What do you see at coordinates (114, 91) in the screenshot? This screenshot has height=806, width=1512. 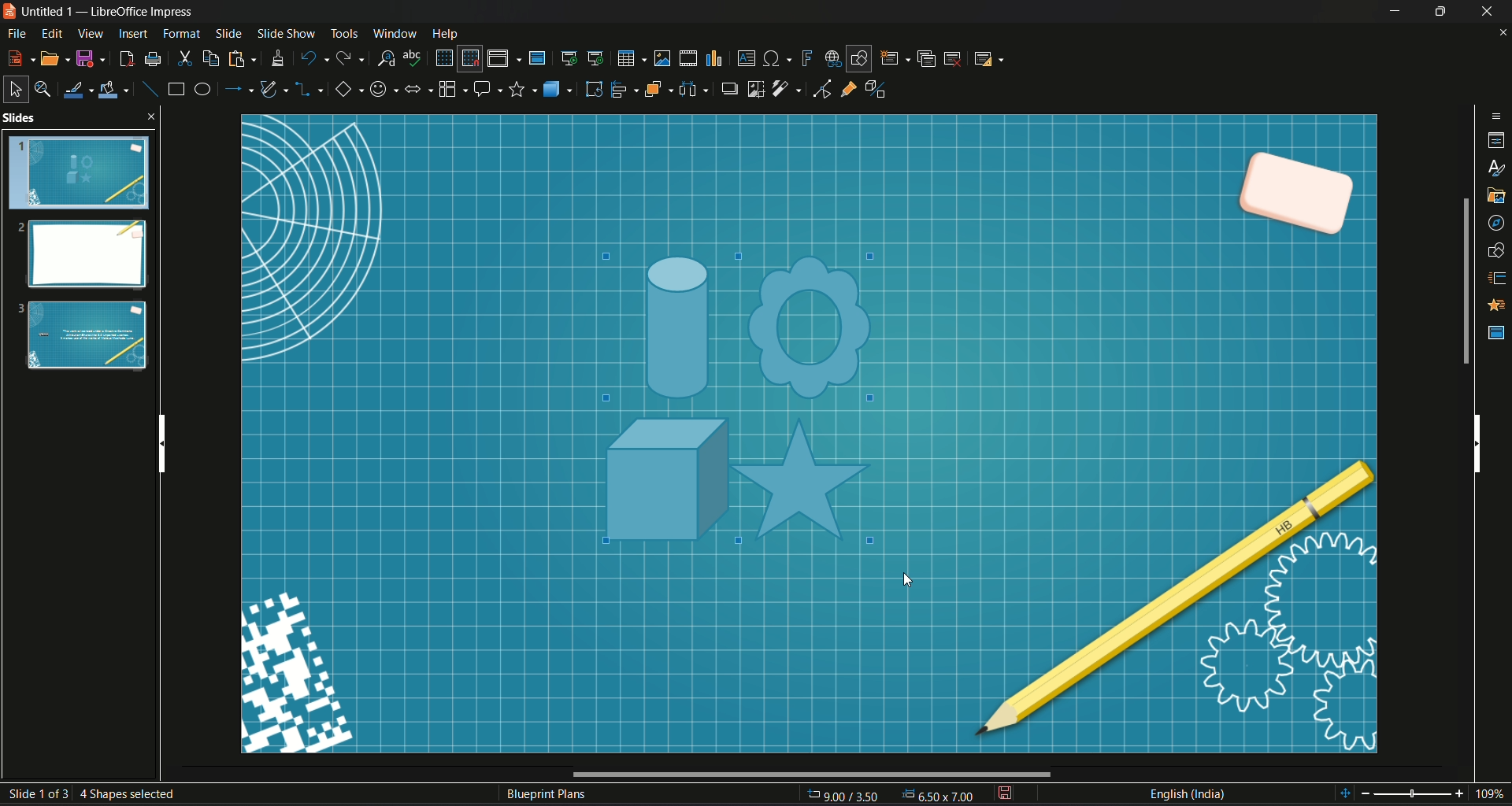 I see `fill color` at bounding box center [114, 91].